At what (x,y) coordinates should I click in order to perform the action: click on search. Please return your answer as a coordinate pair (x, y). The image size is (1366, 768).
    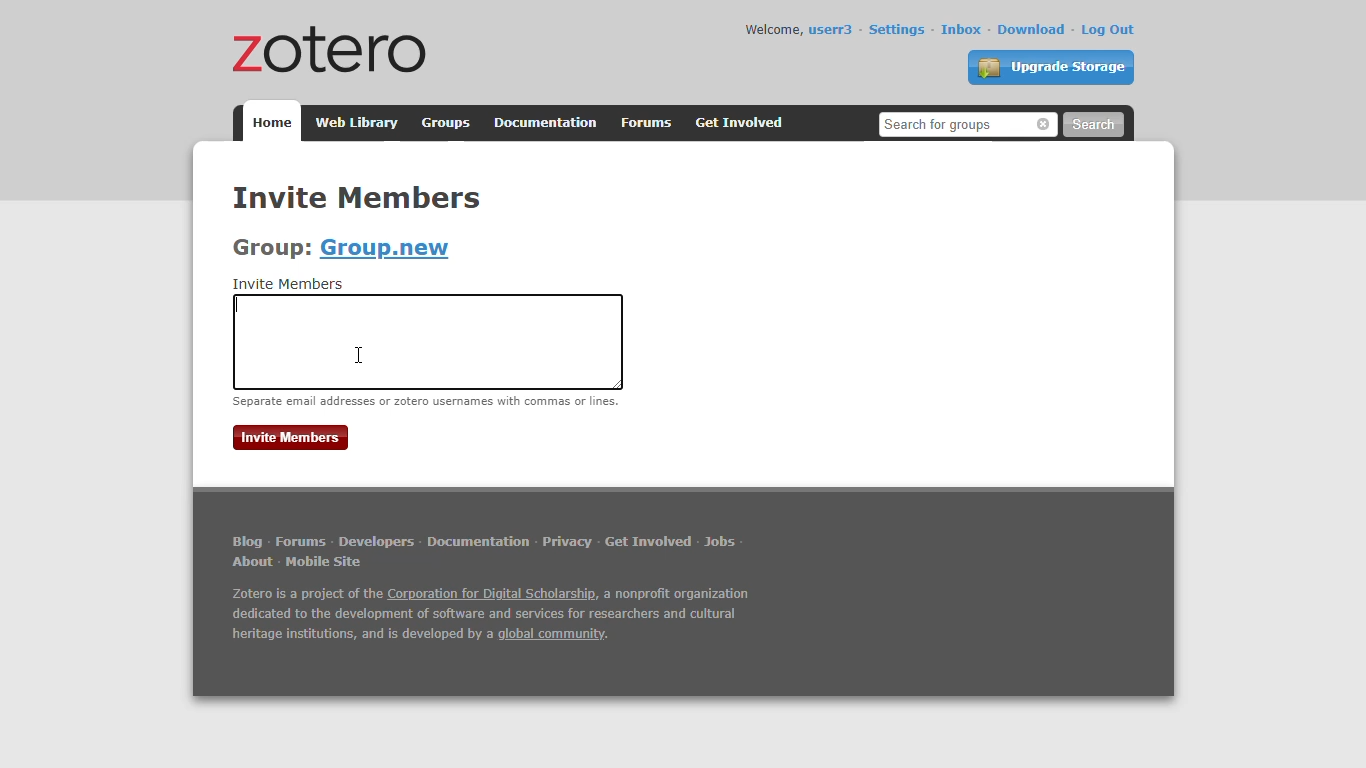
    Looking at the image, I should click on (1093, 125).